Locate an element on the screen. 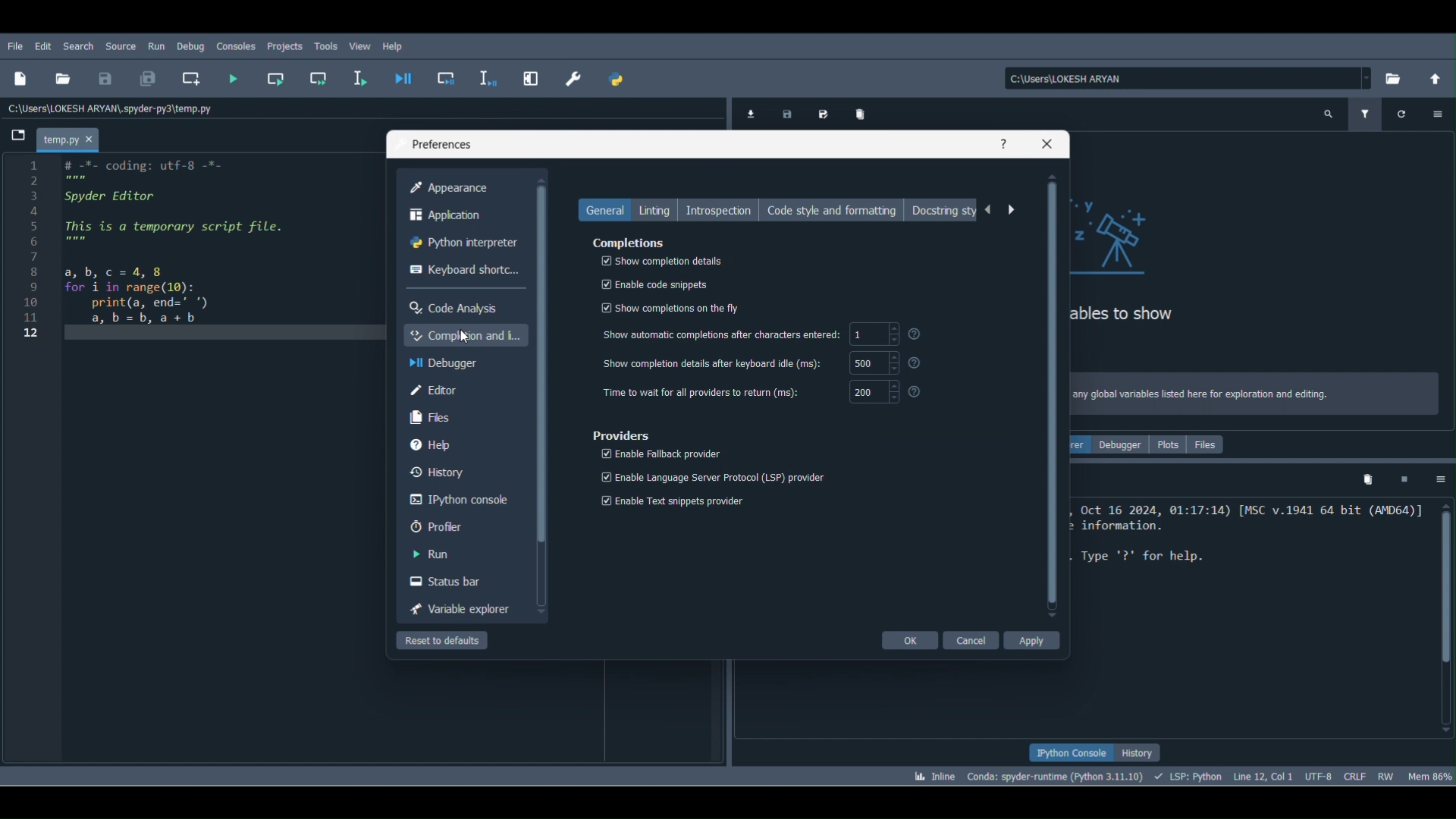 The image size is (1456, 819). Completion and linting is located at coordinates (465, 335).